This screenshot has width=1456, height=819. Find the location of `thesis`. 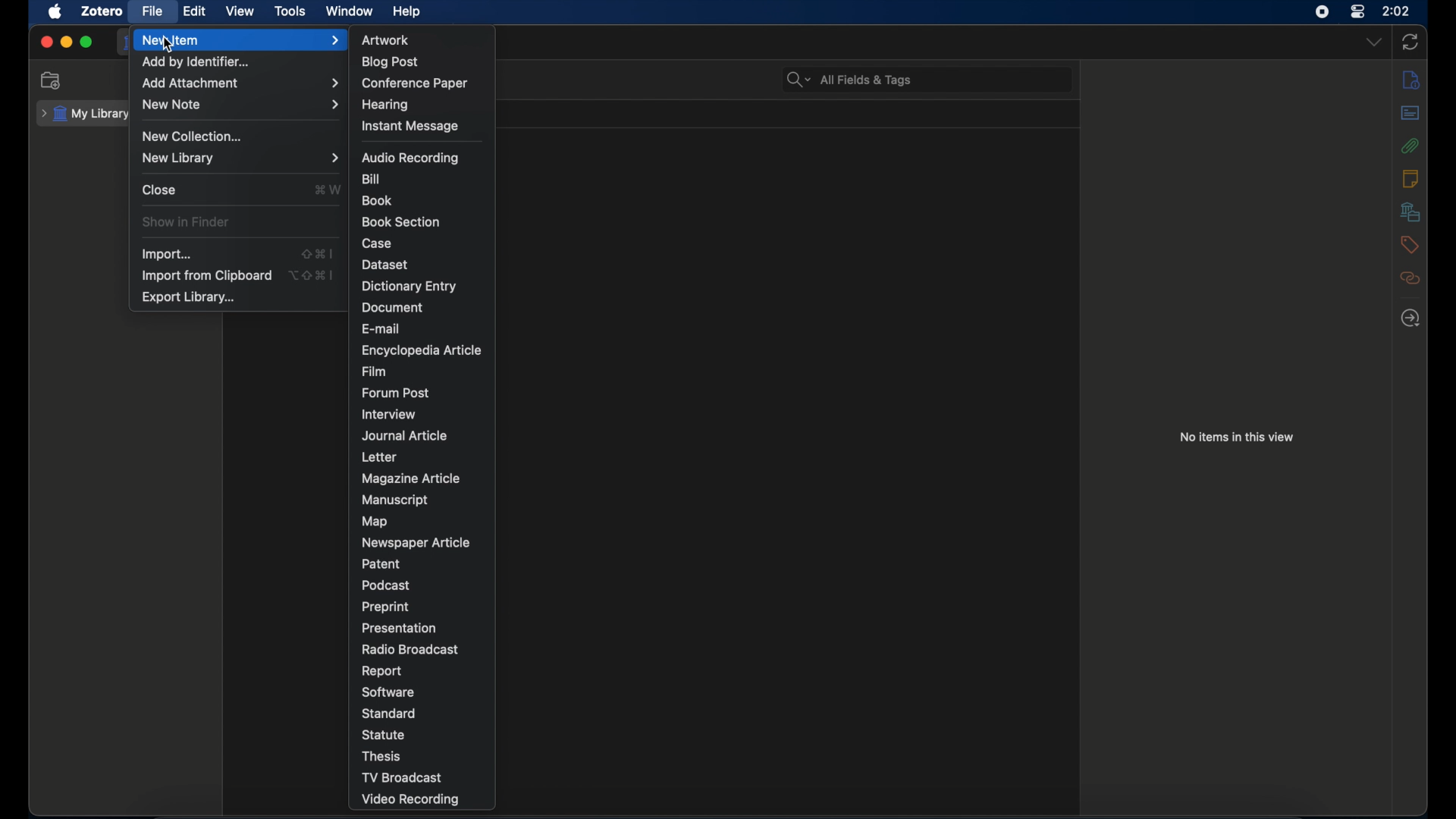

thesis is located at coordinates (383, 756).